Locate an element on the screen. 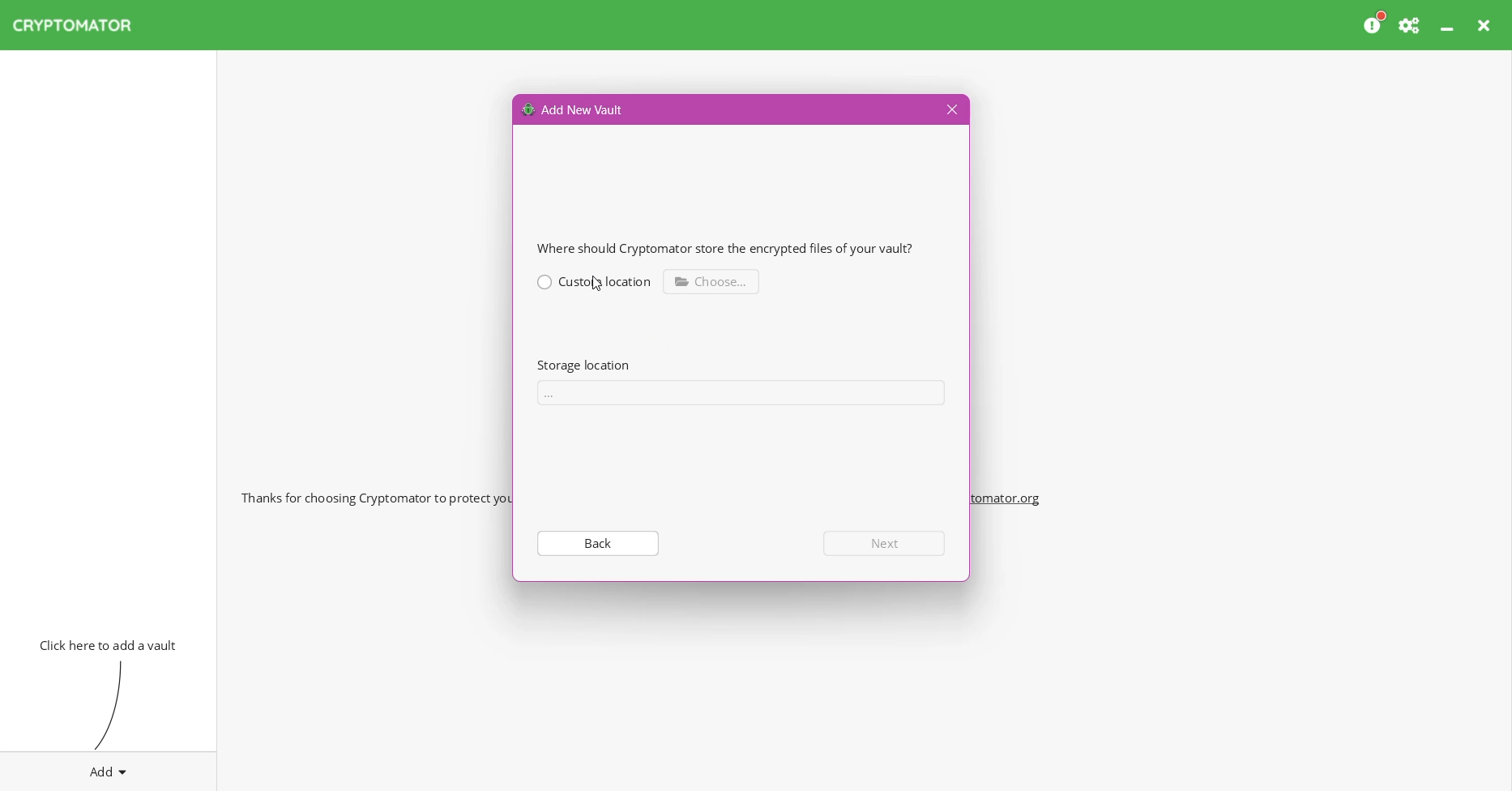 This screenshot has height=791, width=1512. Back is located at coordinates (596, 542).